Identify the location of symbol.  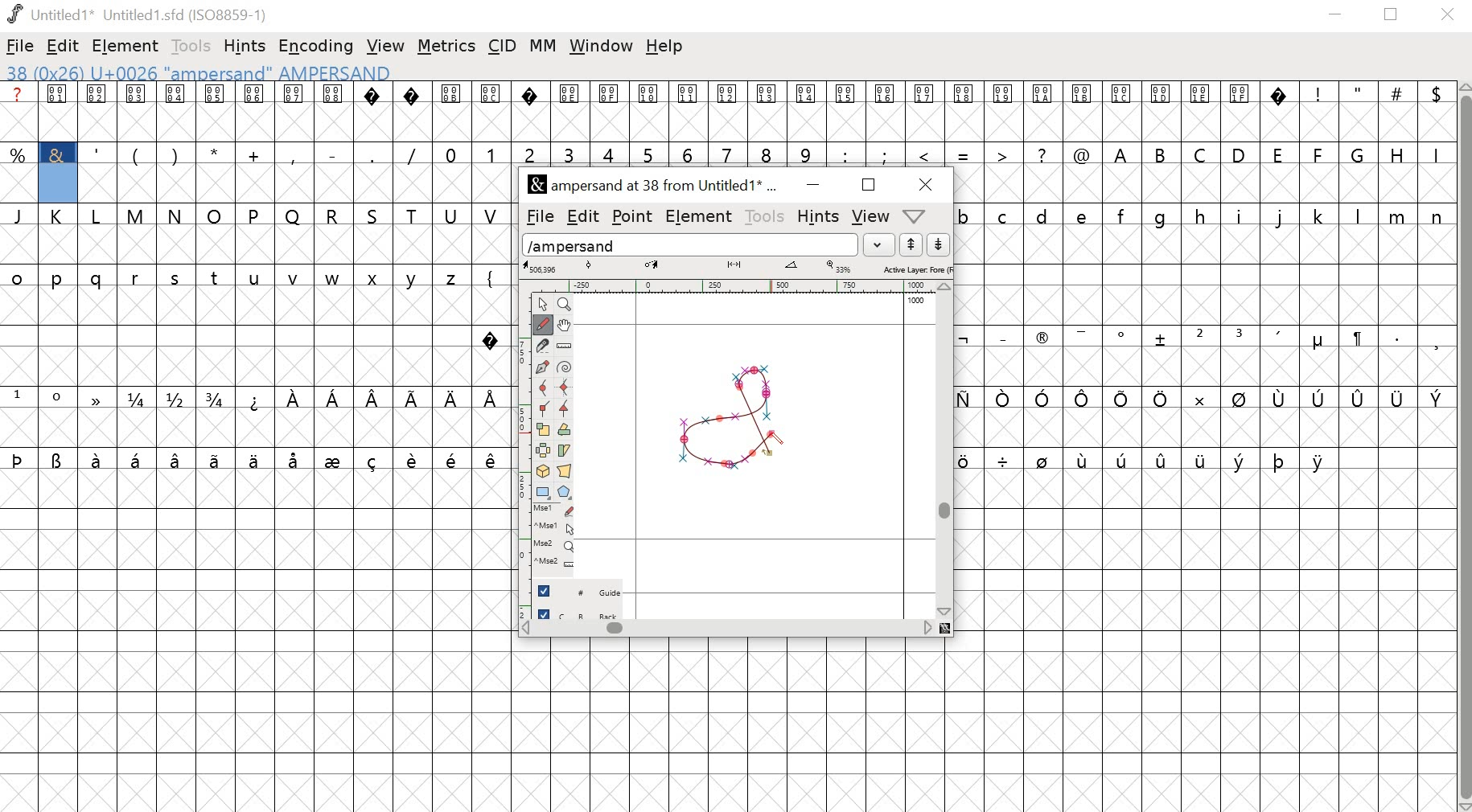
(1161, 398).